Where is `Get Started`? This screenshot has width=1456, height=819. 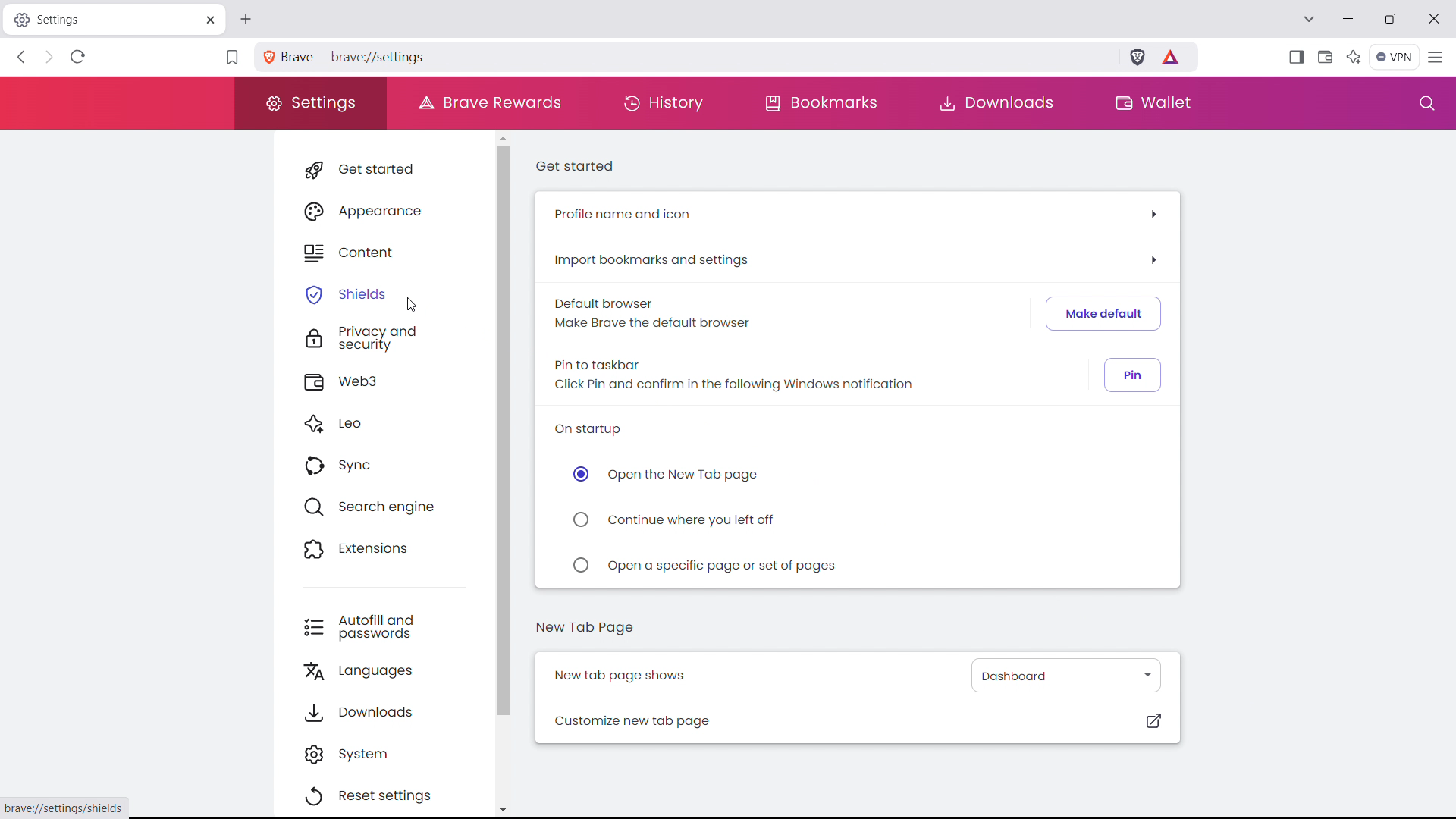 Get Started is located at coordinates (577, 169).